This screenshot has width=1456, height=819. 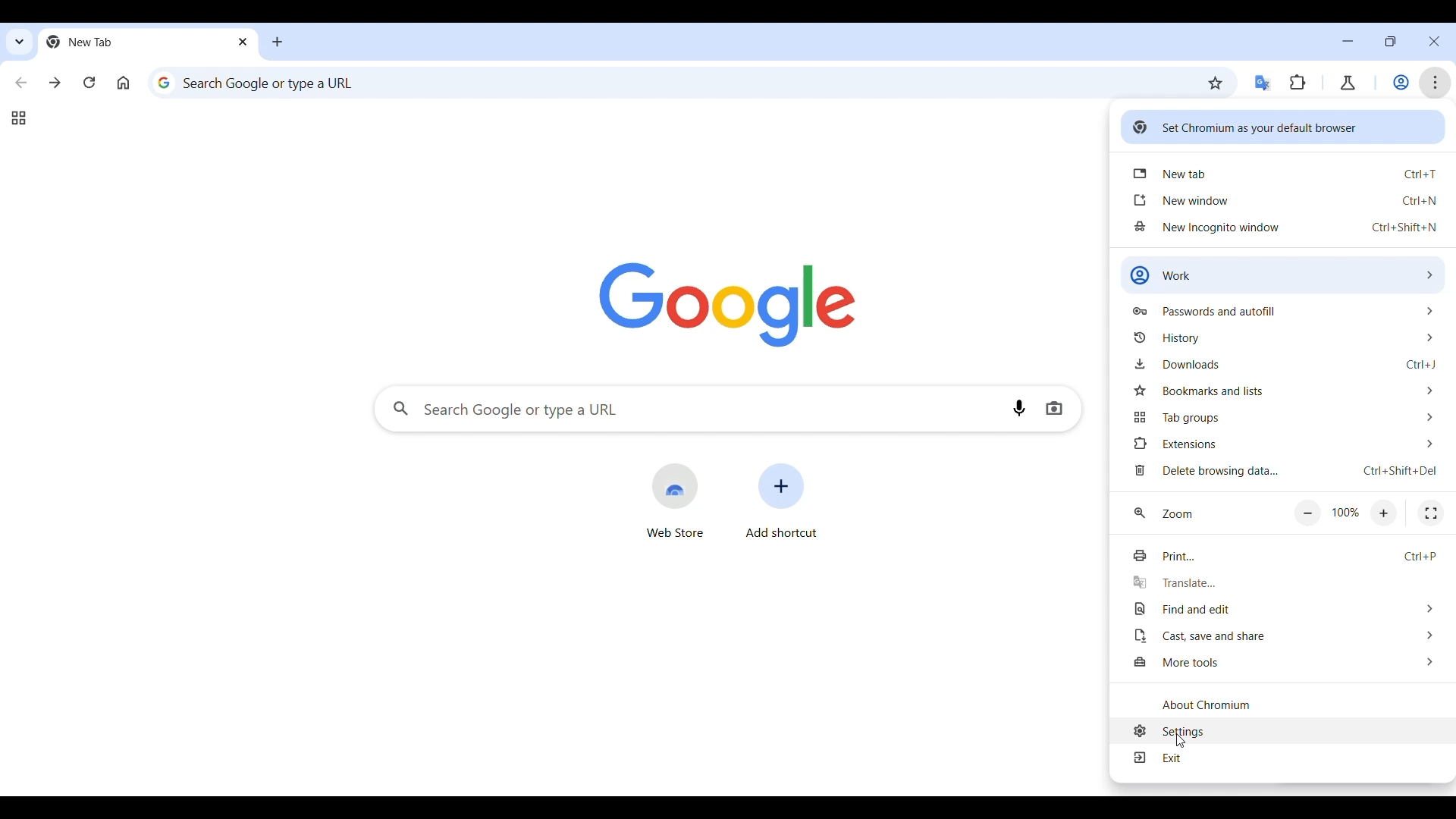 I want to click on Zoom in, so click(x=1383, y=514).